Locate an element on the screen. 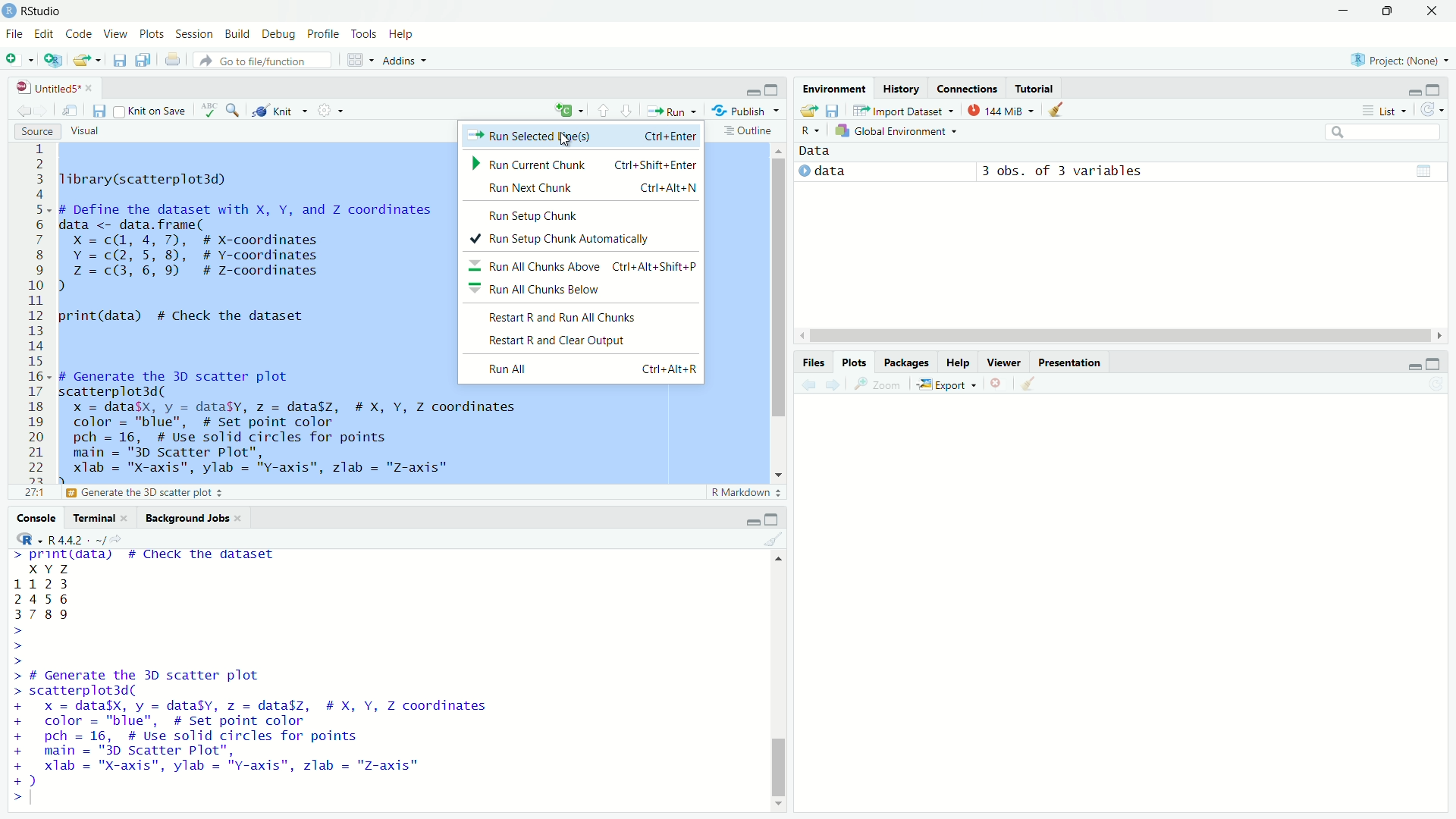  go to next section/chunk is located at coordinates (629, 114).